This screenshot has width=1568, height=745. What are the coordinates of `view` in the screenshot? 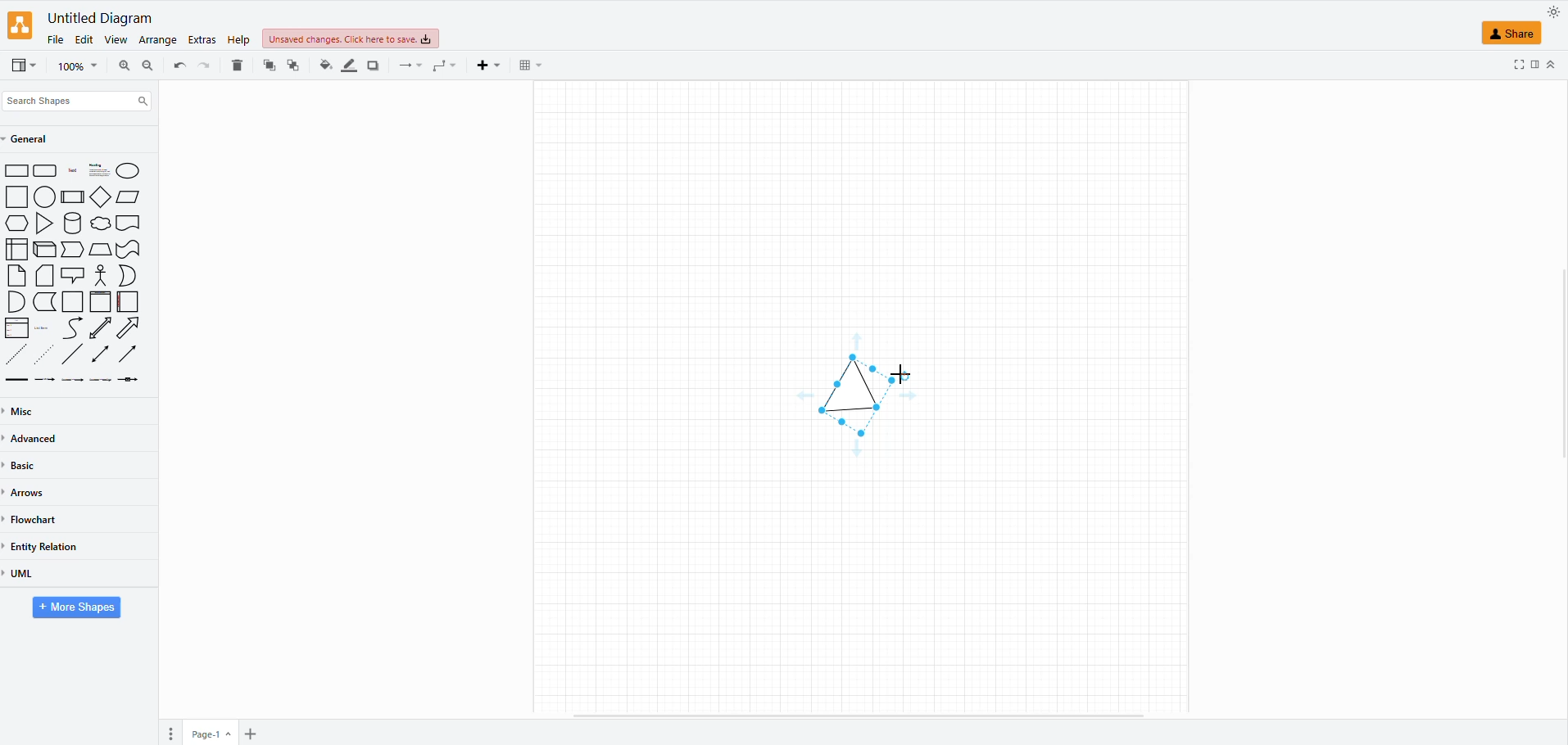 It's located at (21, 65).